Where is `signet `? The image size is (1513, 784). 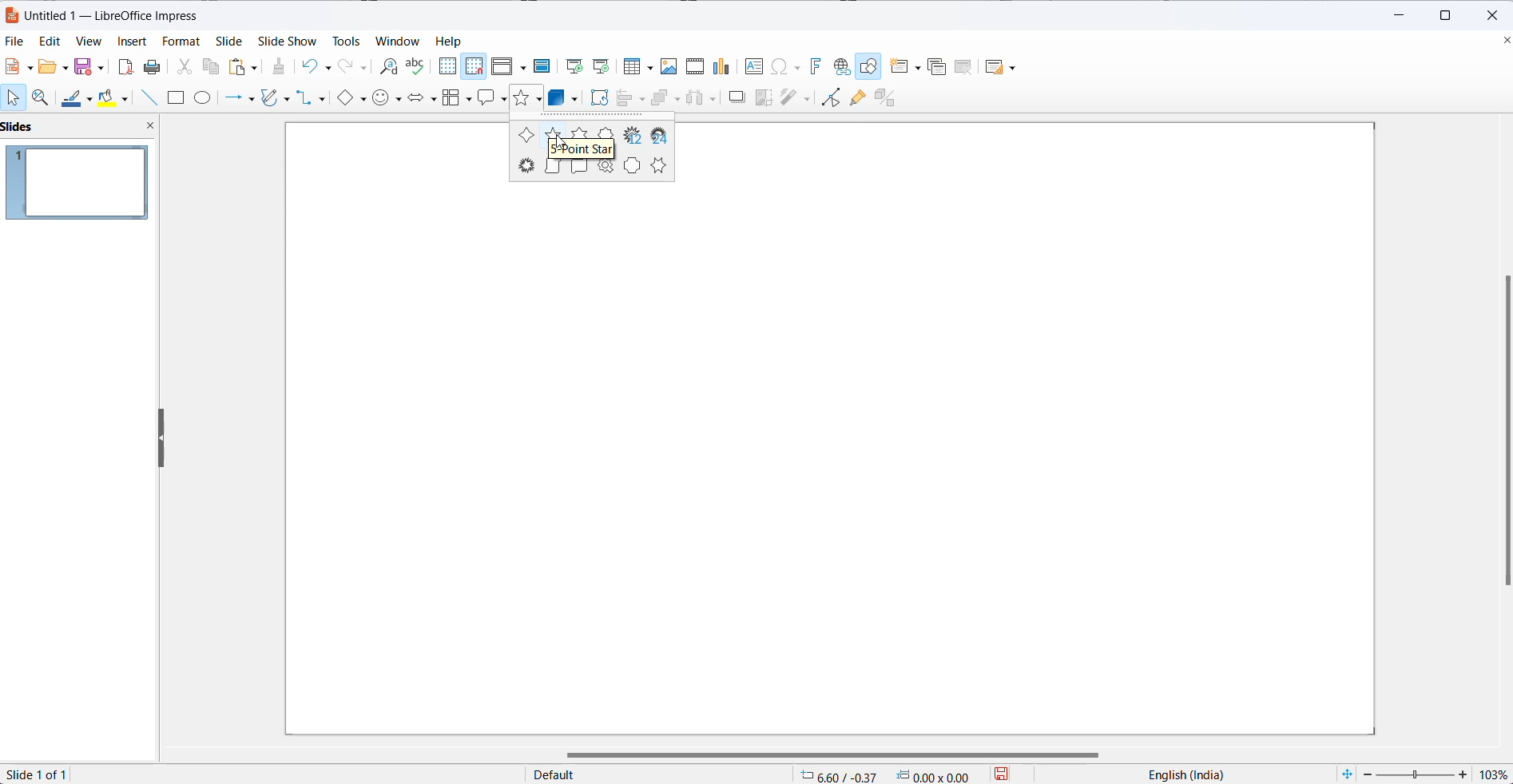
signet  is located at coordinates (606, 170).